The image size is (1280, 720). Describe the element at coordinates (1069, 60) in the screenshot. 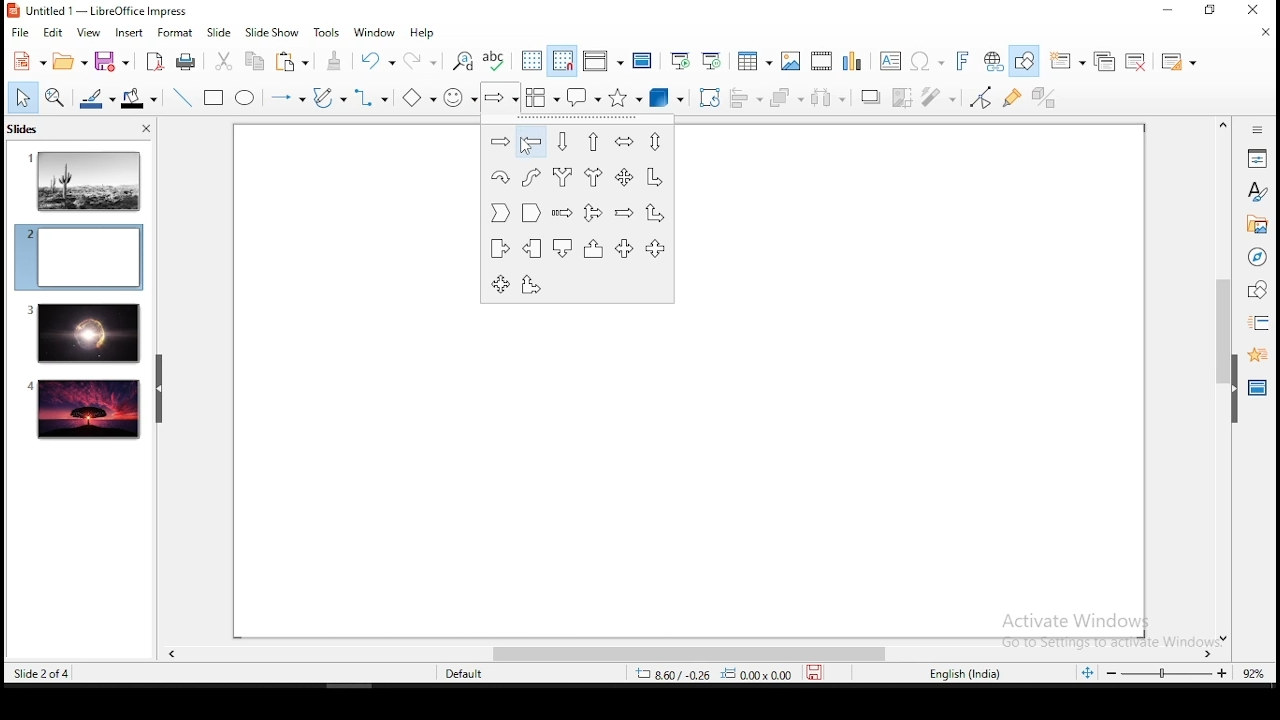

I see `new slide` at that location.